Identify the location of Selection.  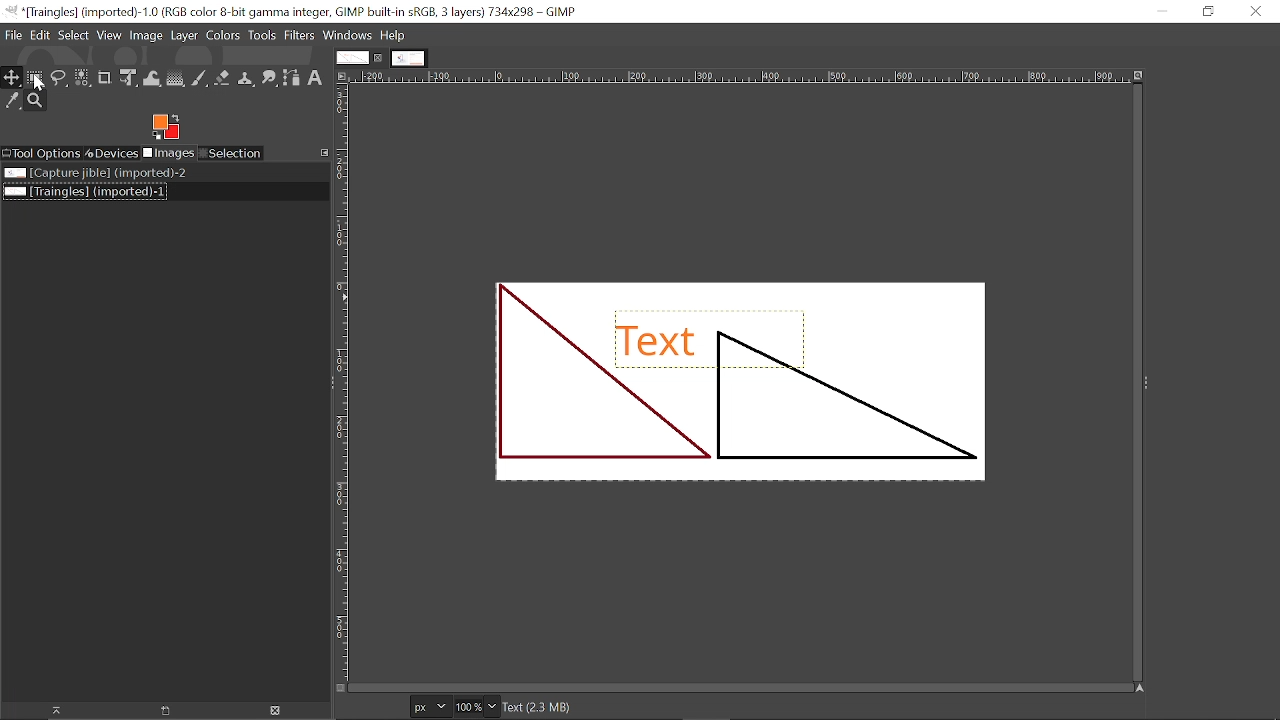
(232, 153).